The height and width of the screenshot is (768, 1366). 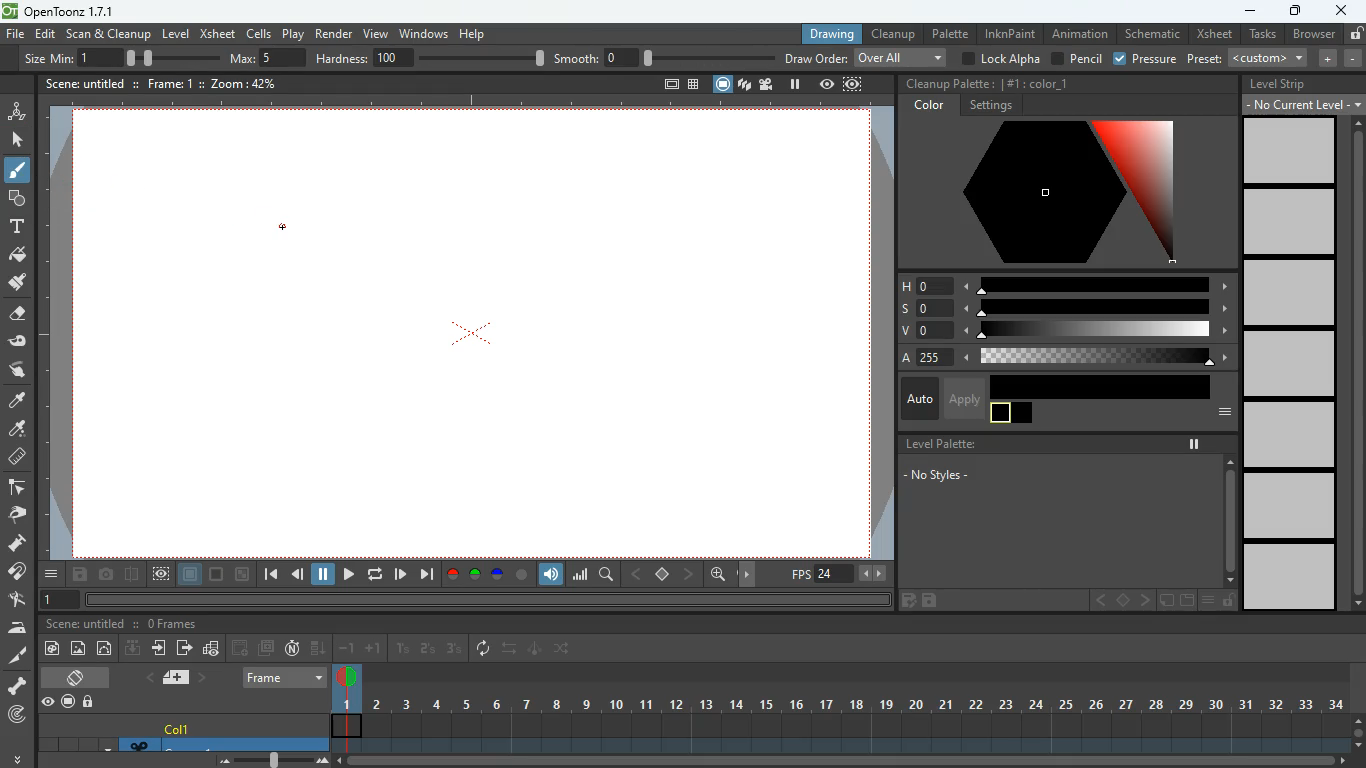 I want to click on left, so click(x=634, y=574).